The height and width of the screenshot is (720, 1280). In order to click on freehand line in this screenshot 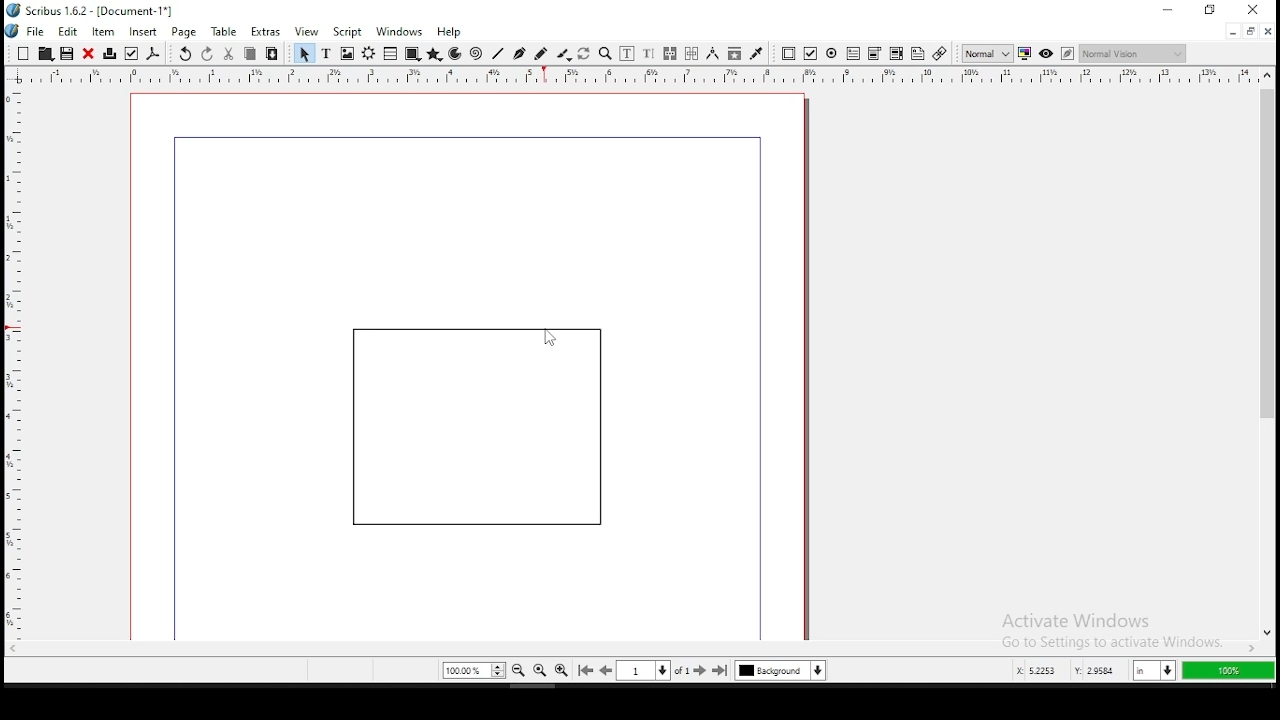, I will do `click(541, 53)`.